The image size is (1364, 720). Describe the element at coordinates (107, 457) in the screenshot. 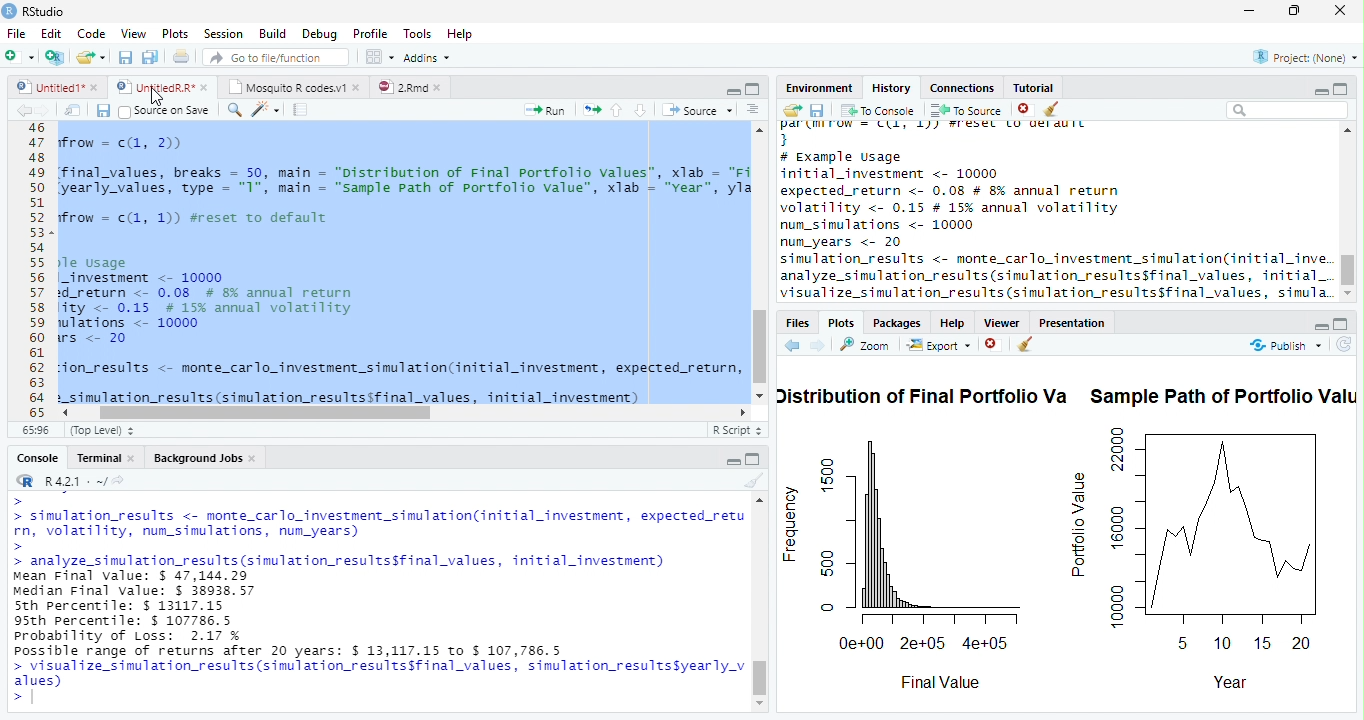

I see `Terminal` at that location.